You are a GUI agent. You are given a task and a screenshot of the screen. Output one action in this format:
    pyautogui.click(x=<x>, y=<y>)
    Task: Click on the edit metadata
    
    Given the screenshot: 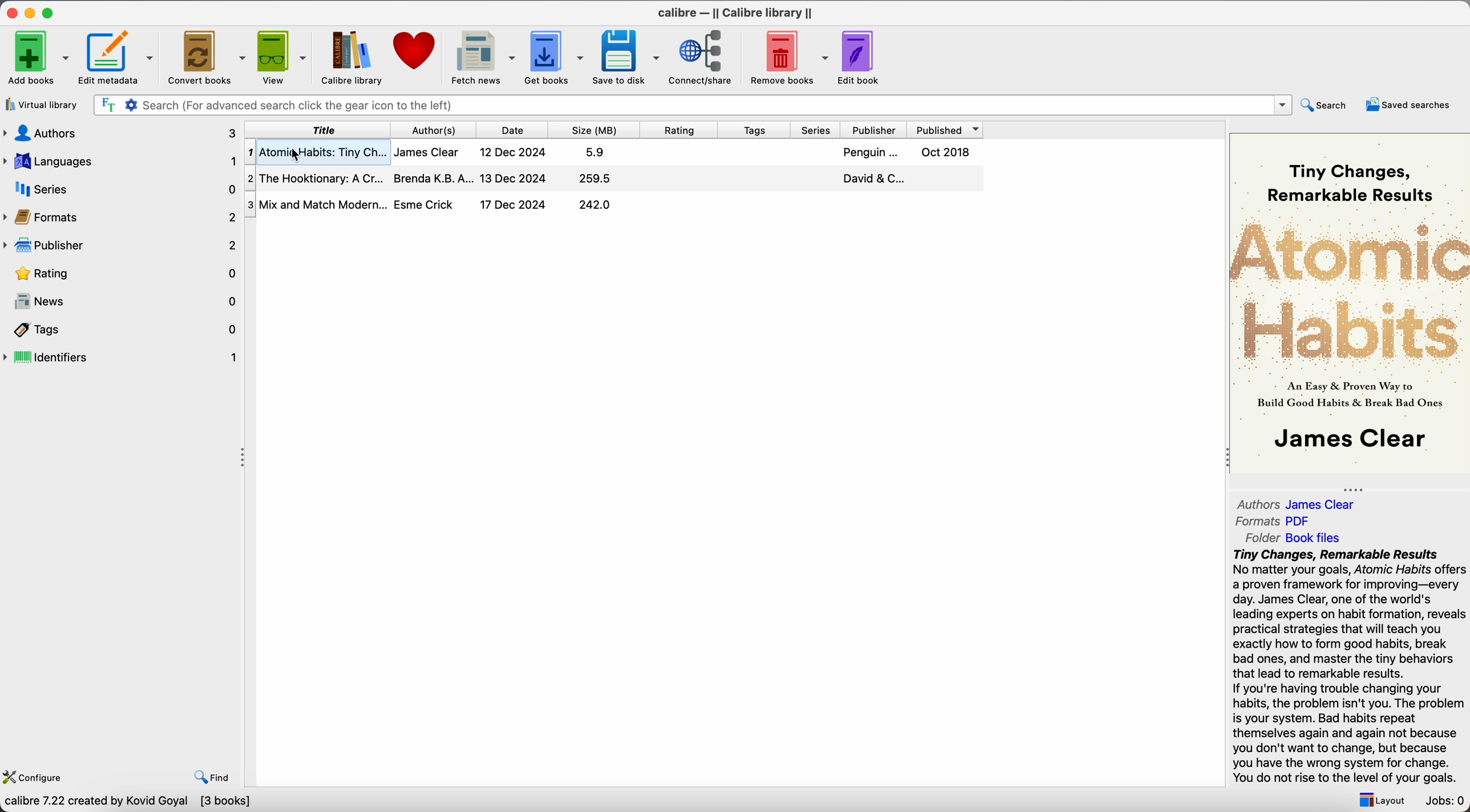 What is the action you would take?
    pyautogui.click(x=118, y=58)
    